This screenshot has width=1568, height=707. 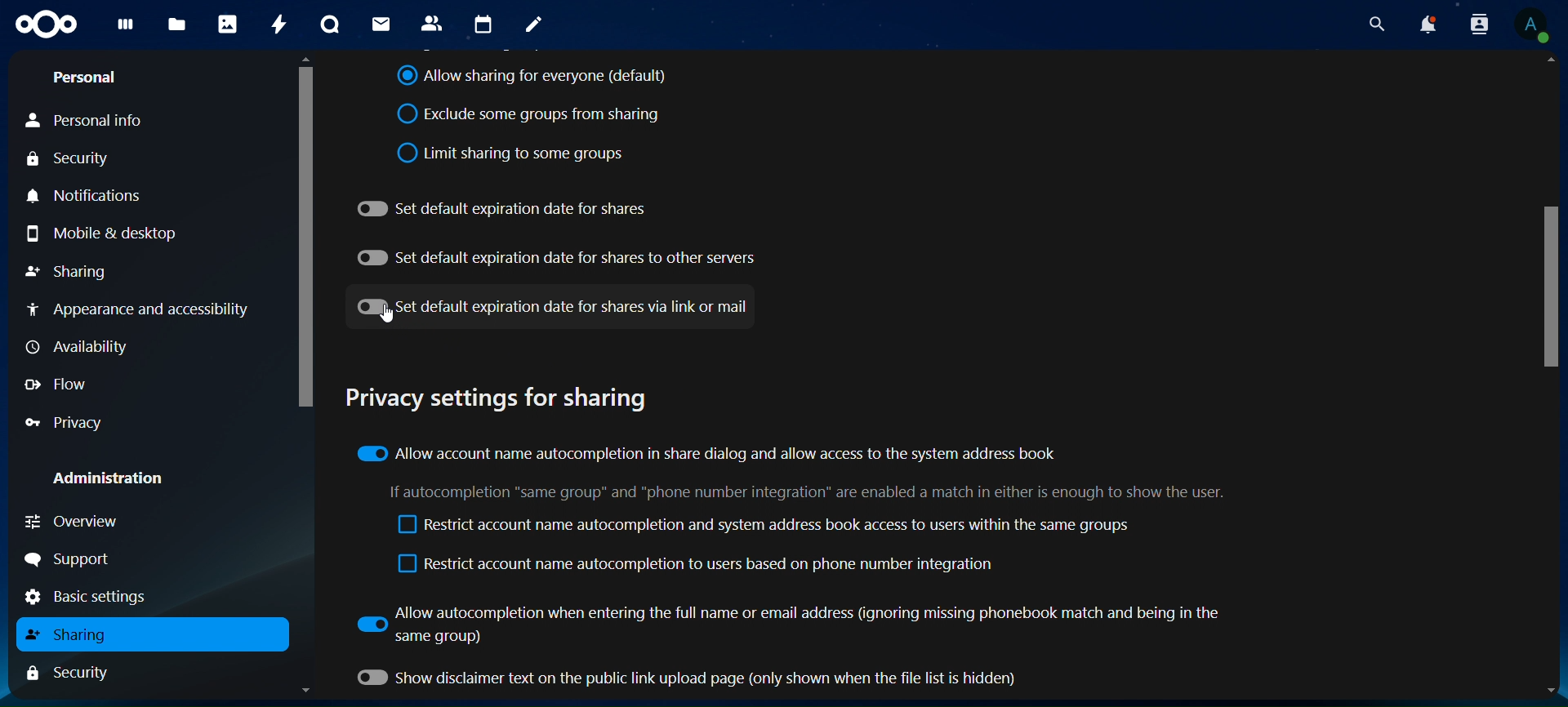 What do you see at coordinates (506, 397) in the screenshot?
I see `privacy settings for sharing` at bounding box center [506, 397].